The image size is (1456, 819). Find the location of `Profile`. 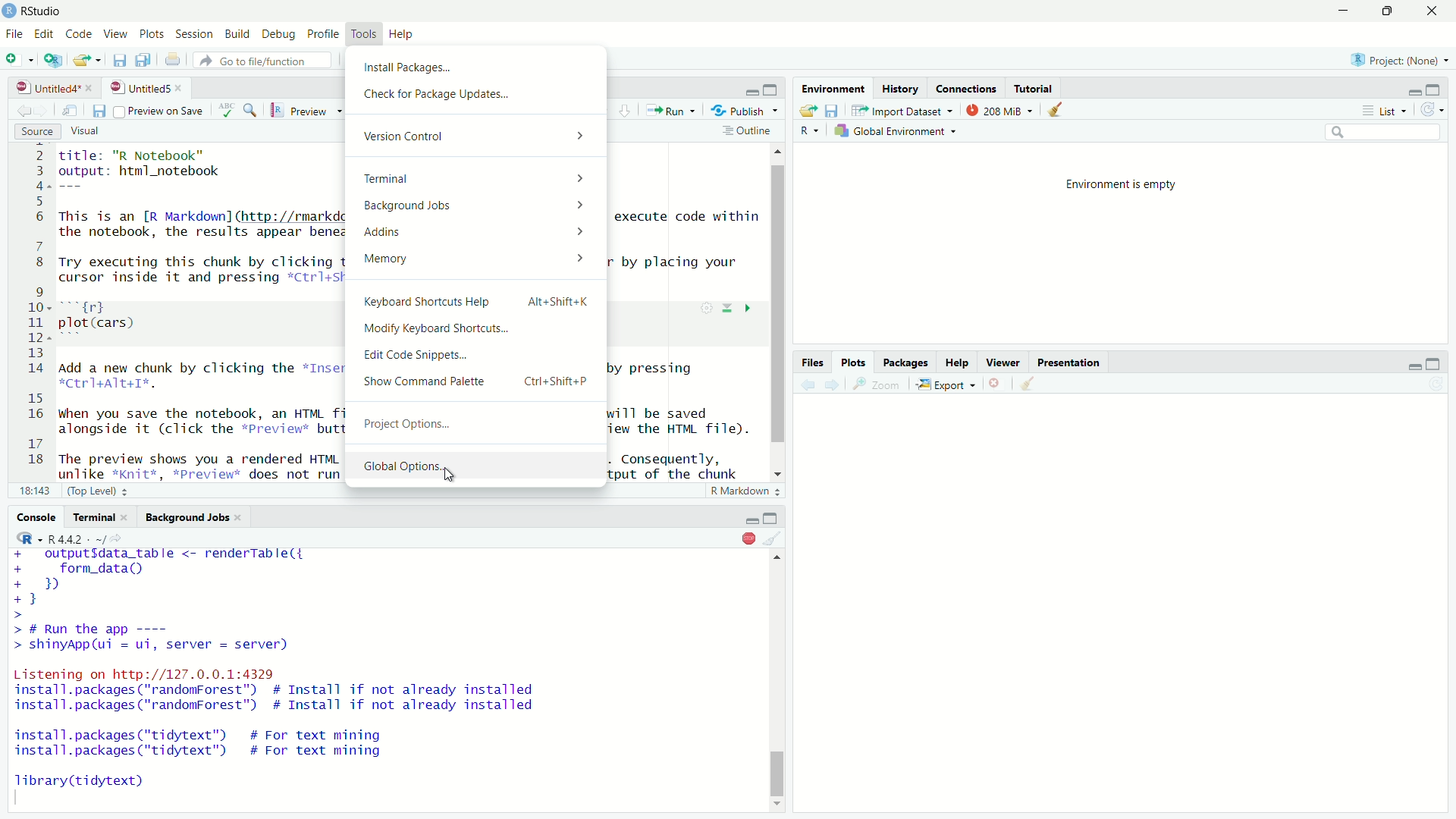

Profile is located at coordinates (322, 35).